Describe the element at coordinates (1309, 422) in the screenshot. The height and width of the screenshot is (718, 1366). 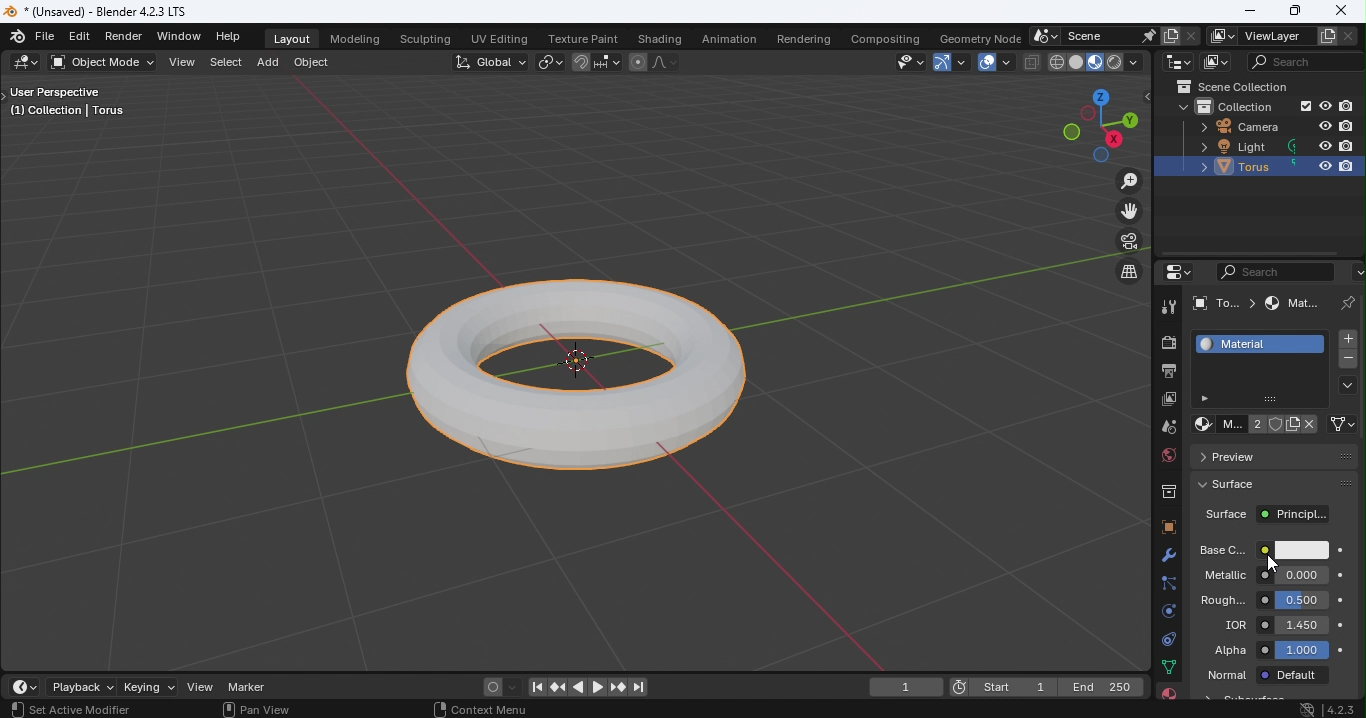
I see `Unlink data block` at that location.